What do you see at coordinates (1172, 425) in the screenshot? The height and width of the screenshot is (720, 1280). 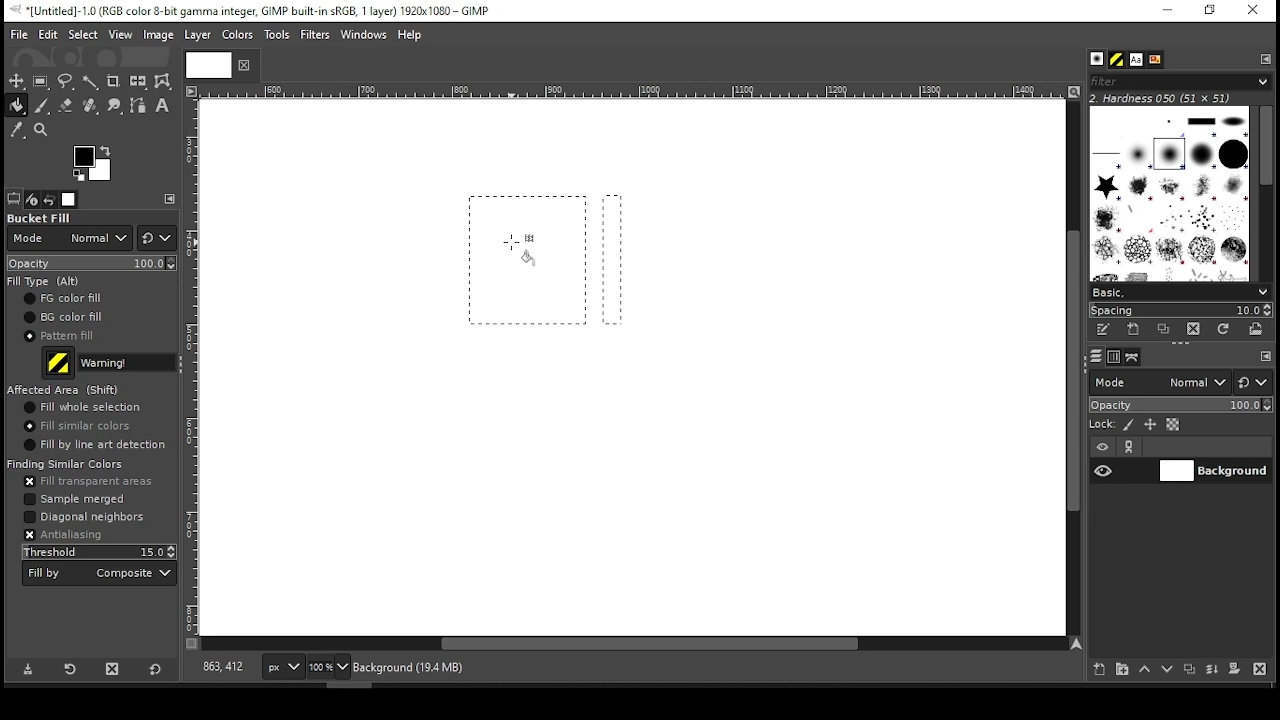 I see `lock alpha channel` at bounding box center [1172, 425].